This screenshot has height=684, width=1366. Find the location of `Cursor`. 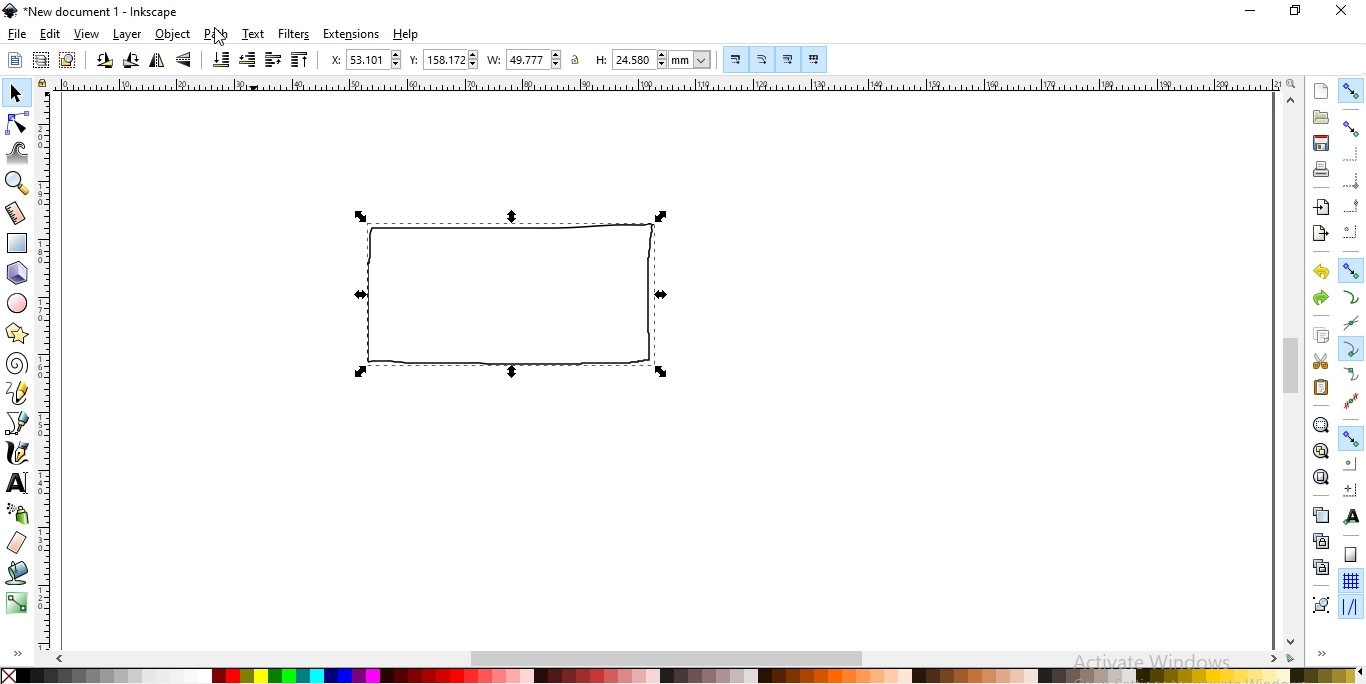

Cursor is located at coordinates (218, 32).